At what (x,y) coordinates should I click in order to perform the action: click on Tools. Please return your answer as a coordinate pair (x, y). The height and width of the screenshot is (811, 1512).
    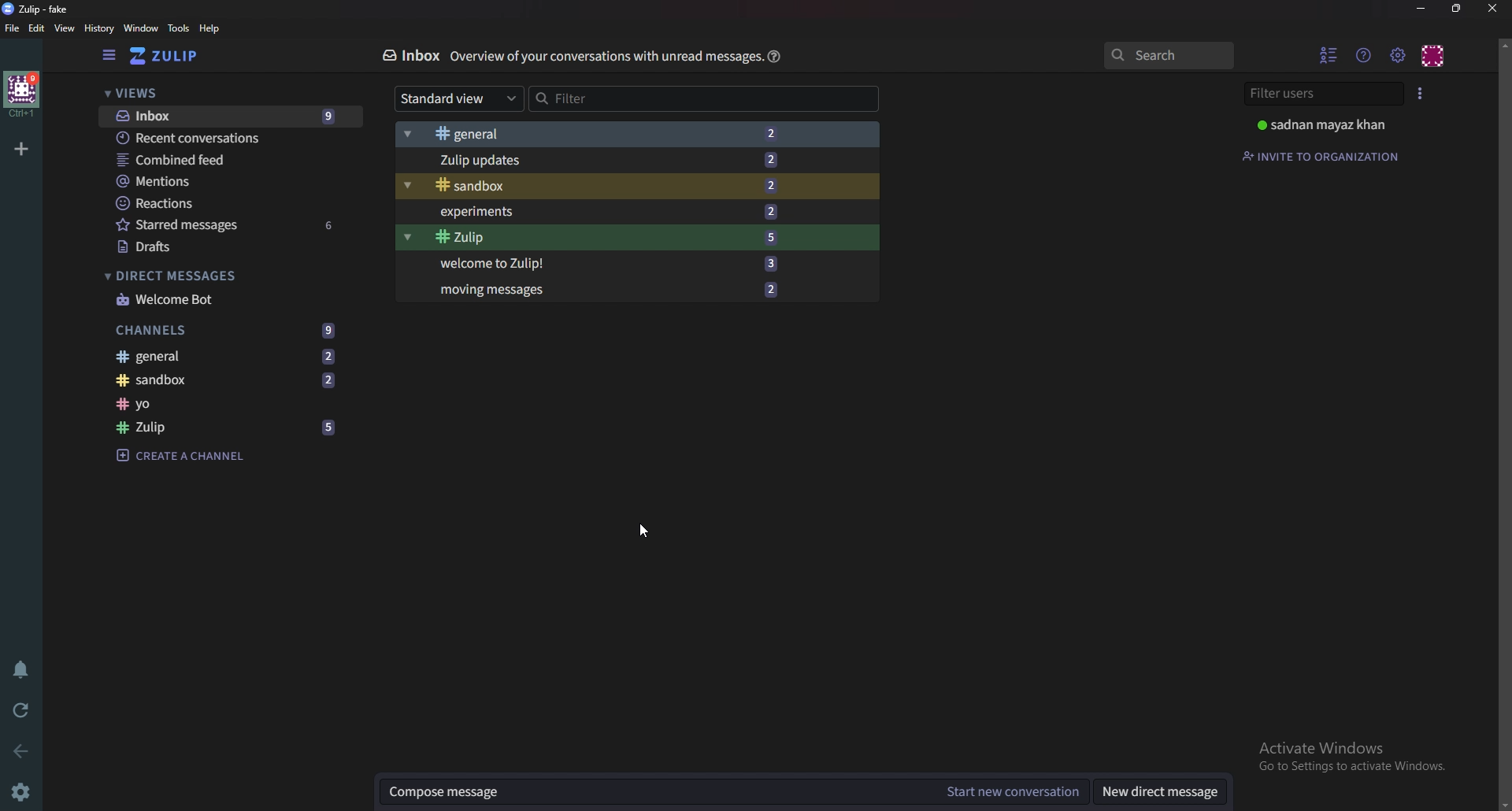
    Looking at the image, I should click on (179, 28).